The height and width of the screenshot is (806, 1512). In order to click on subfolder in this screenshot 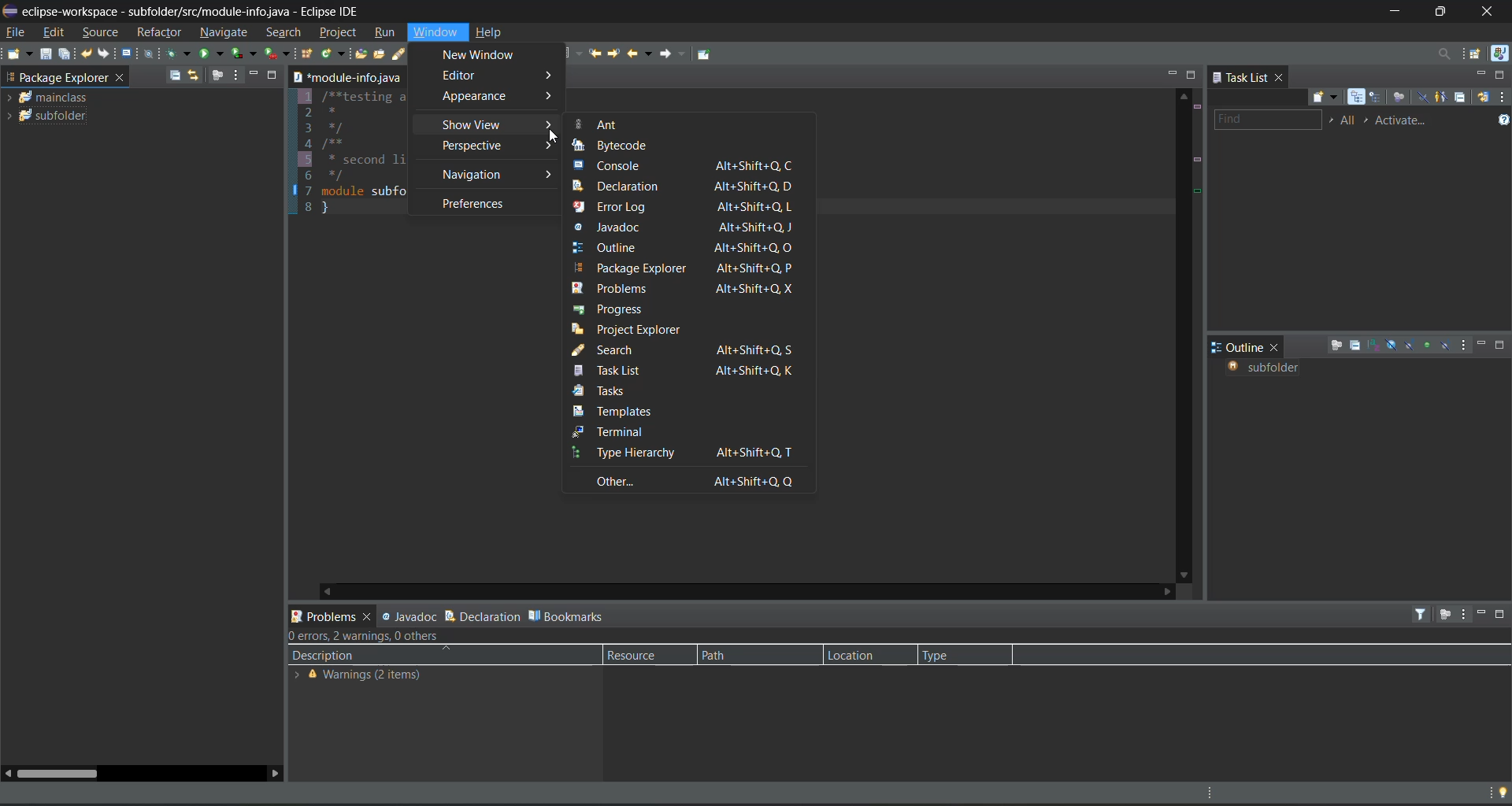, I will do `click(57, 115)`.